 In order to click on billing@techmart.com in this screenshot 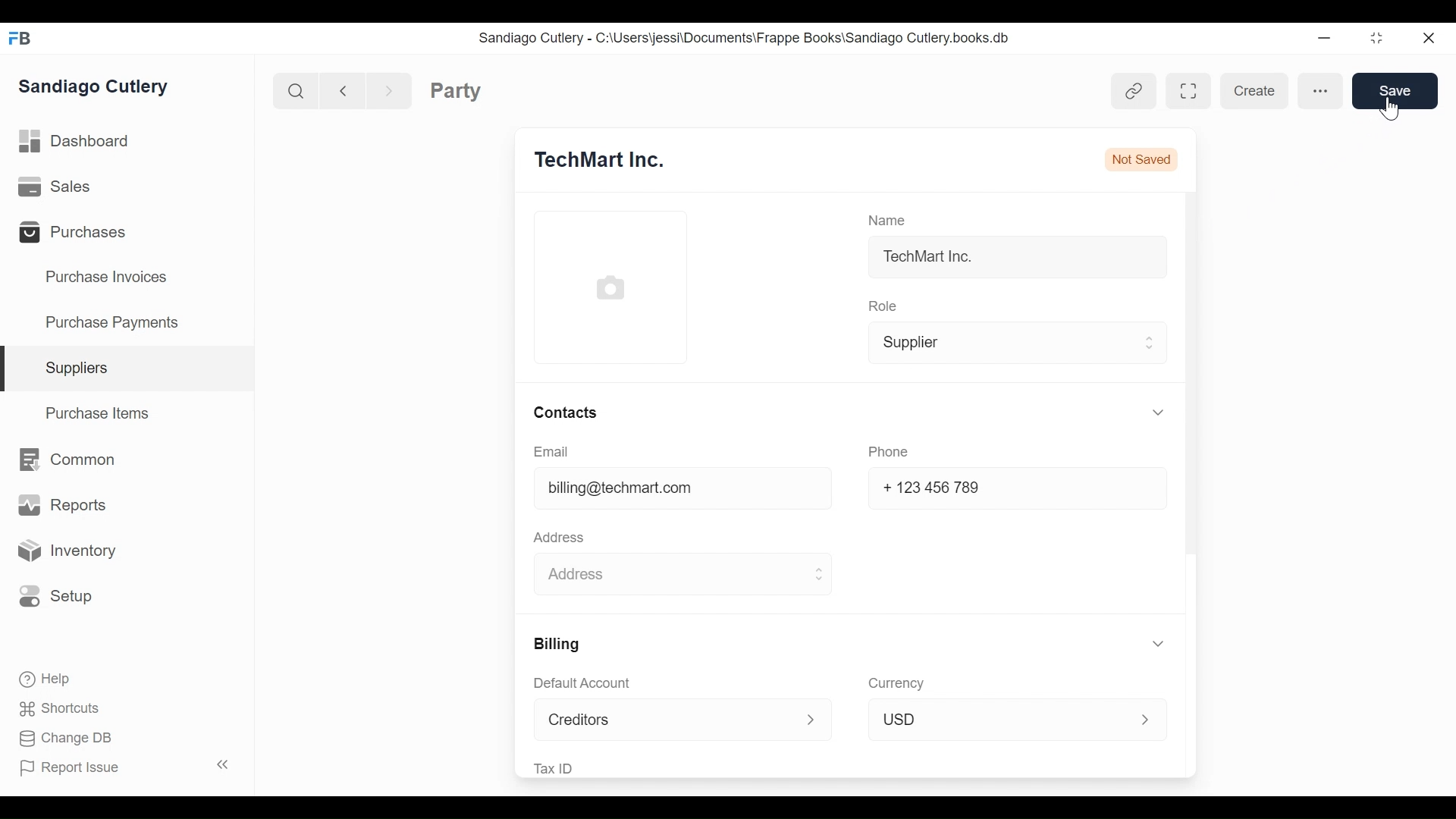, I will do `click(623, 487)`.